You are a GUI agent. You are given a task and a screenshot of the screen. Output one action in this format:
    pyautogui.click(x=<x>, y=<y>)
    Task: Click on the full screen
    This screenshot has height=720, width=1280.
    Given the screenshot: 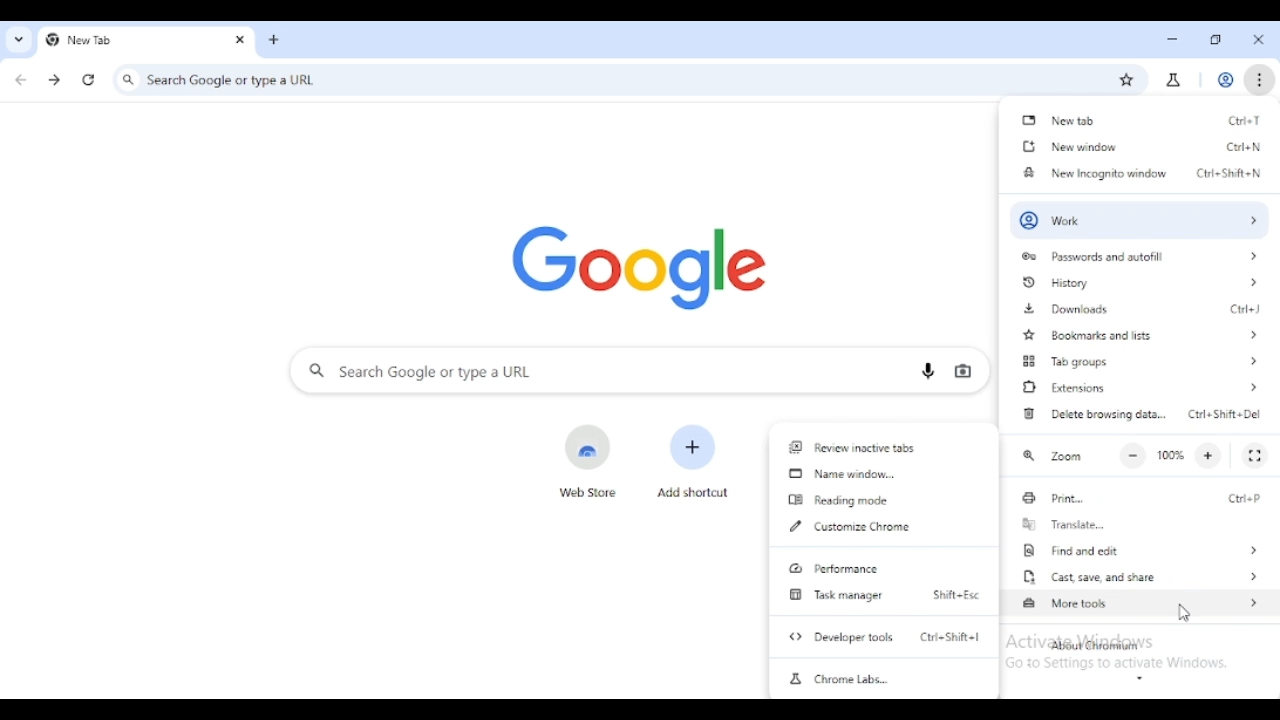 What is the action you would take?
    pyautogui.click(x=1254, y=456)
    